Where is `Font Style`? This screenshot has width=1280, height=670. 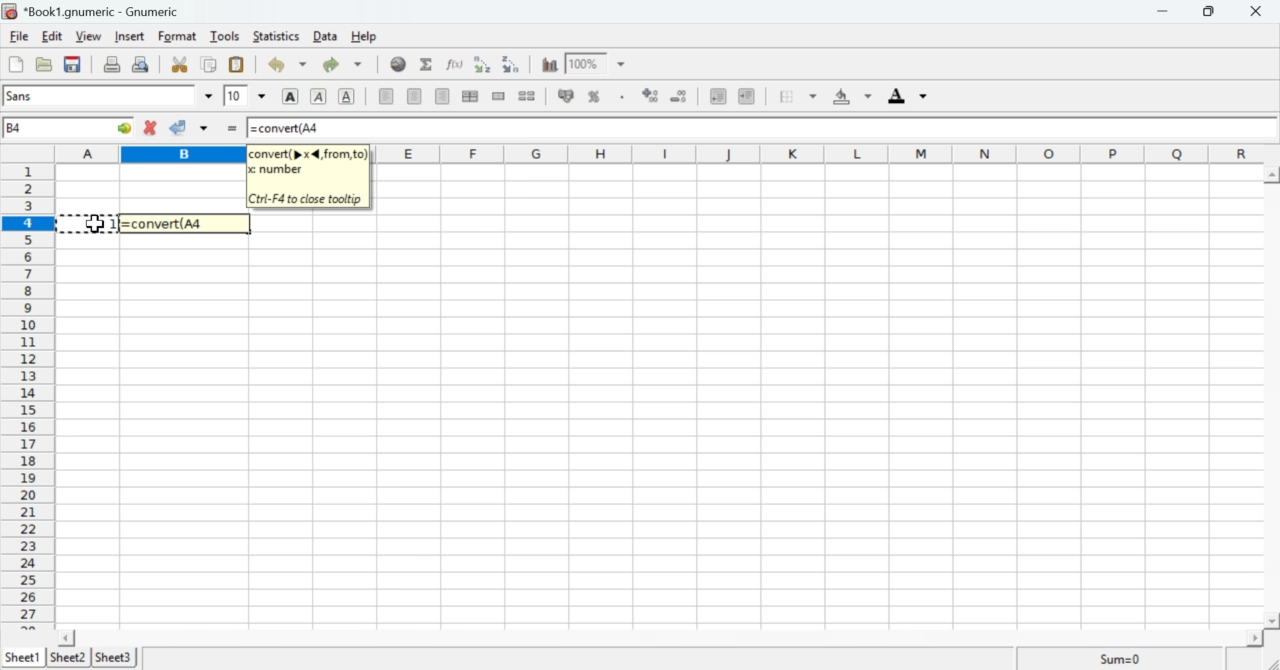 Font Style is located at coordinates (111, 96).